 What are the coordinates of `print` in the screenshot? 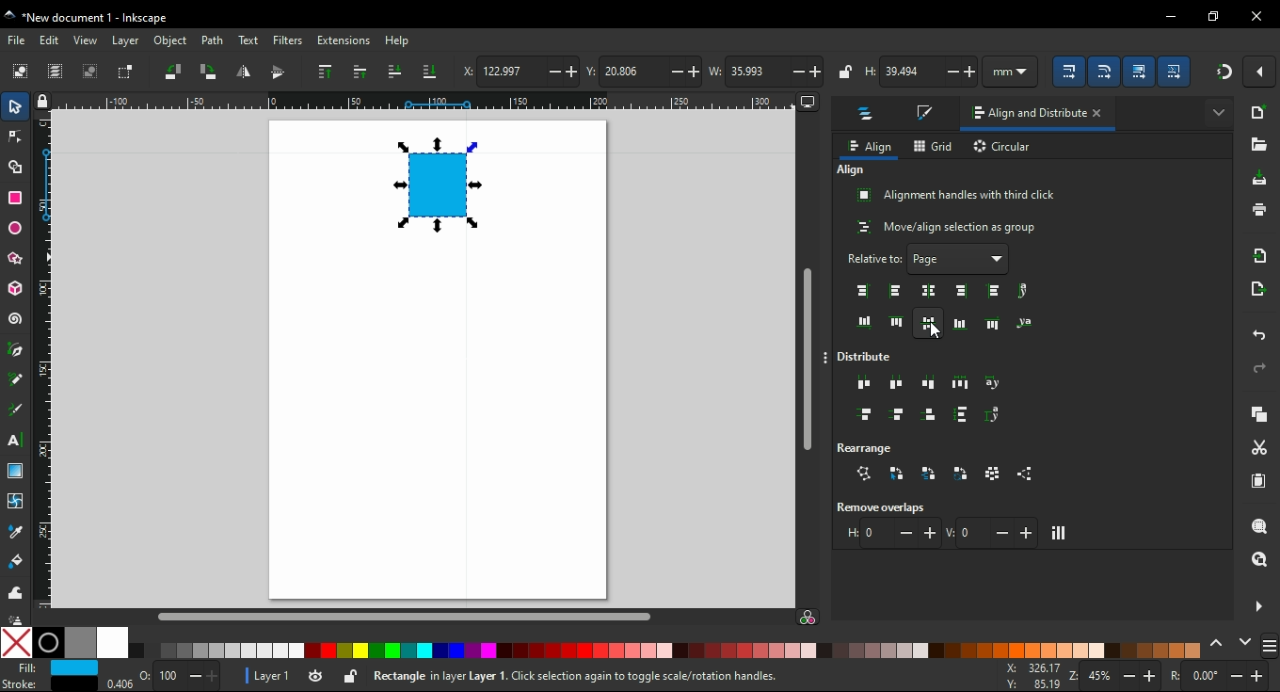 It's located at (1259, 210).